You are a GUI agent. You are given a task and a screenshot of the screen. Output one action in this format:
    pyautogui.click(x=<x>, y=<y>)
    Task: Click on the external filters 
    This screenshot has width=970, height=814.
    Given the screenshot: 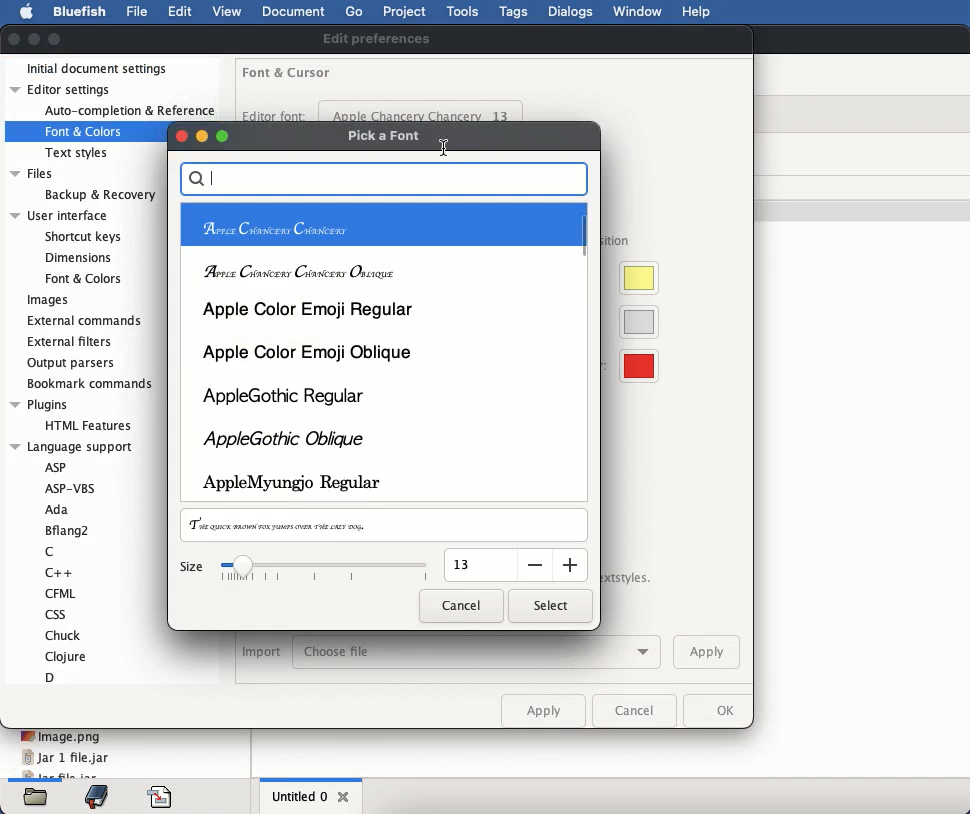 What is the action you would take?
    pyautogui.click(x=70, y=342)
    